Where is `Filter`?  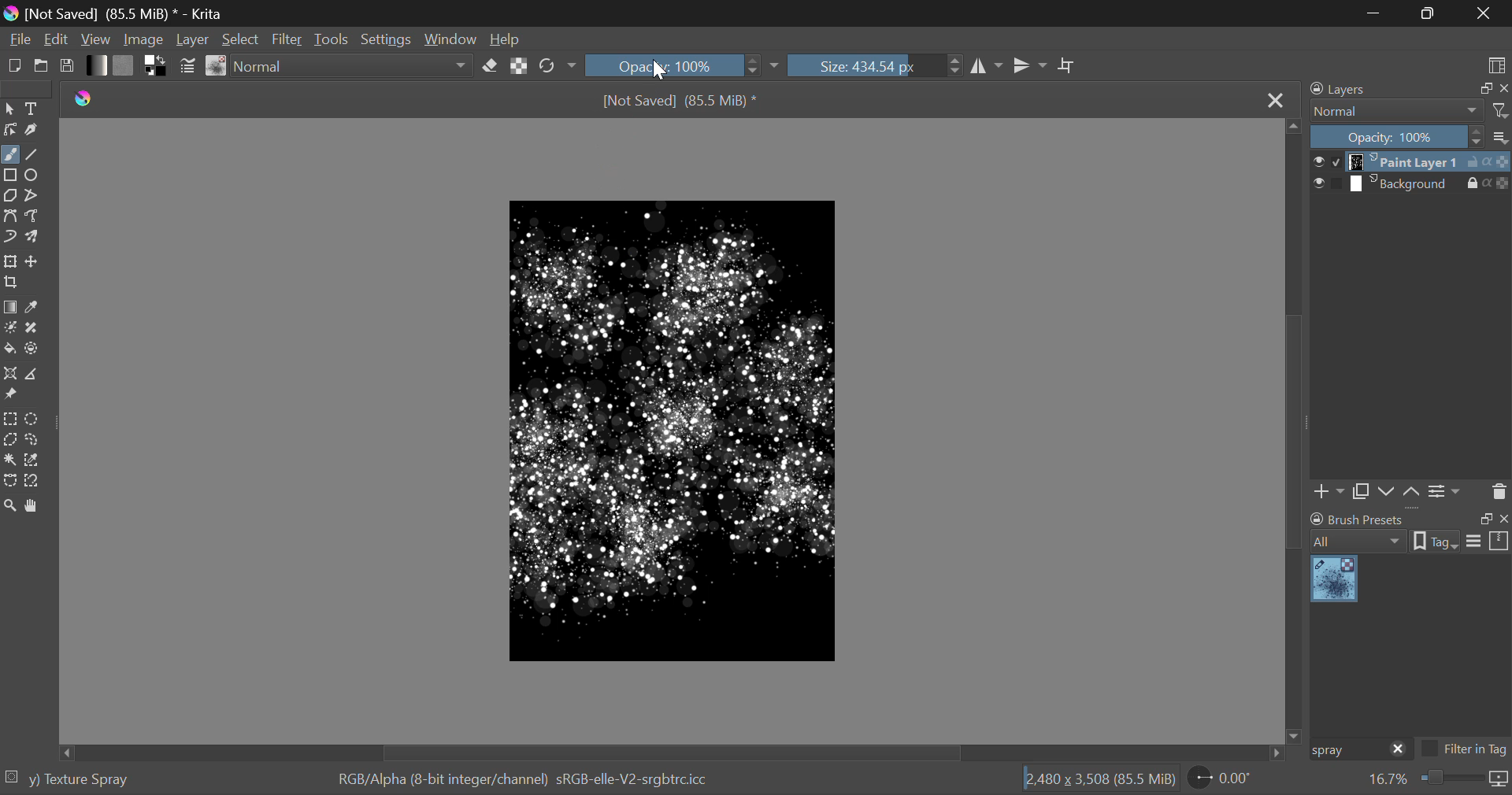 Filter is located at coordinates (287, 39).